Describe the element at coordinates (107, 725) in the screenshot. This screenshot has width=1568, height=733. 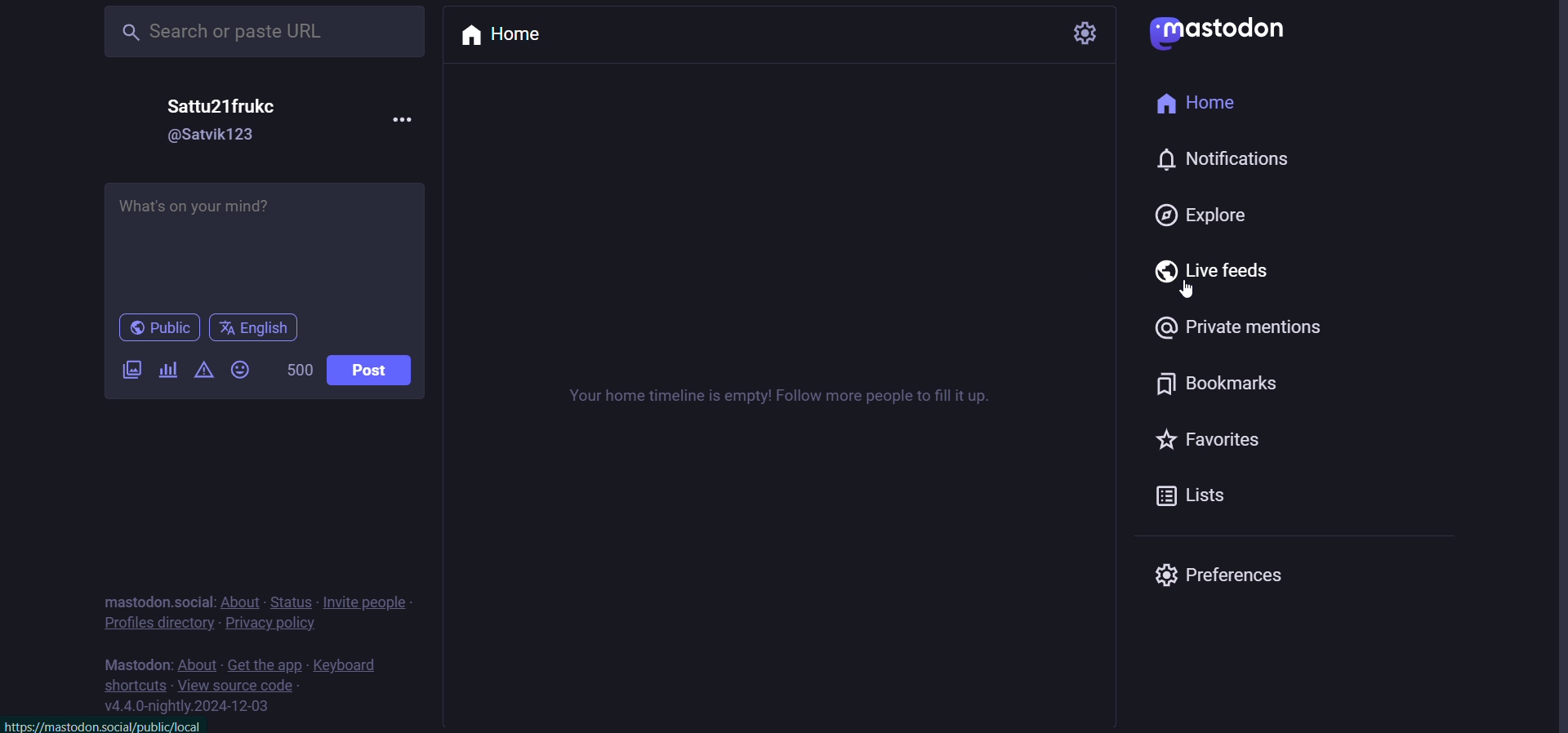
I see `httos://mastodon.social/oublic/local` at that location.